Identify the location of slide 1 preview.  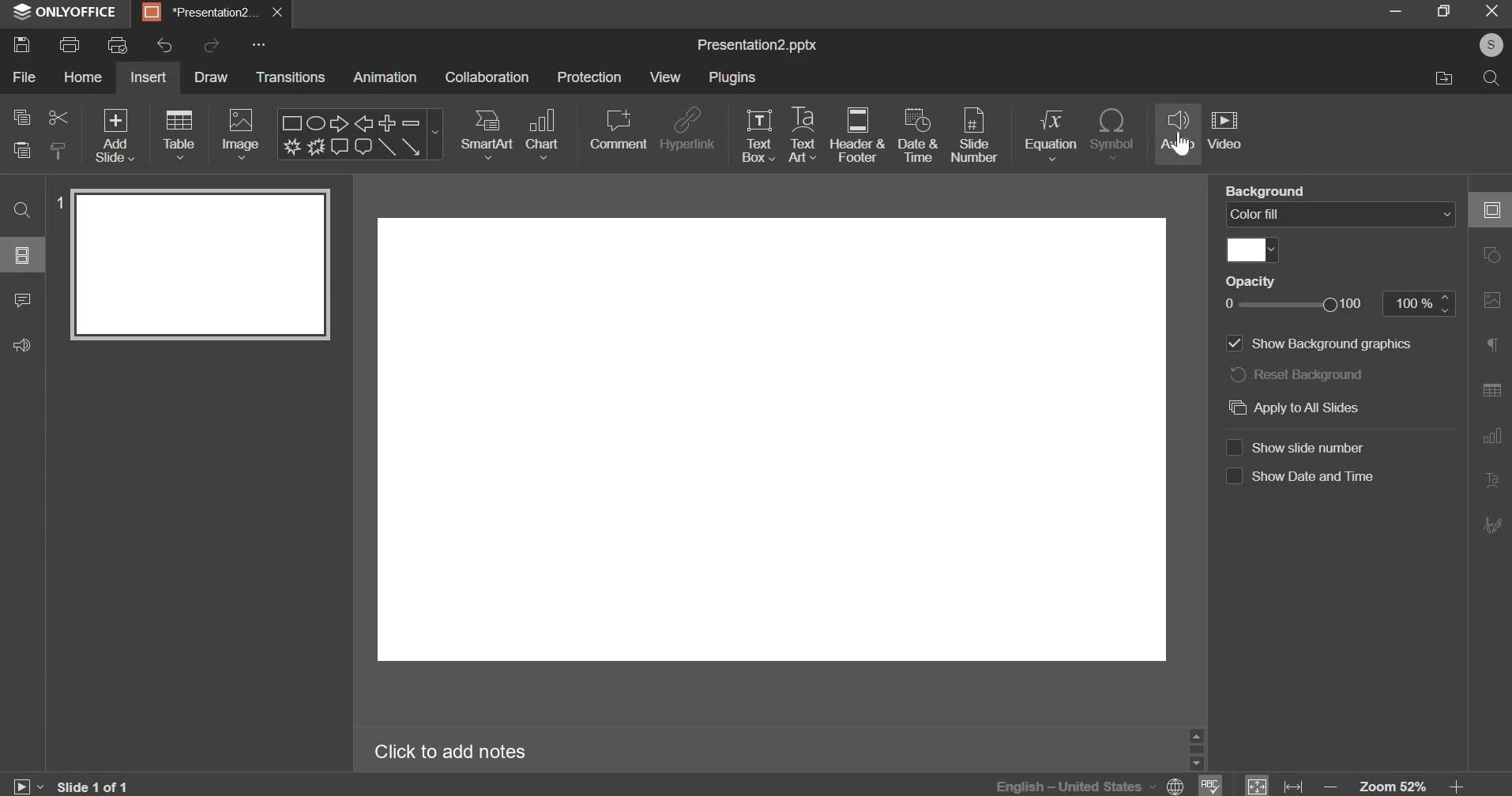
(200, 265).